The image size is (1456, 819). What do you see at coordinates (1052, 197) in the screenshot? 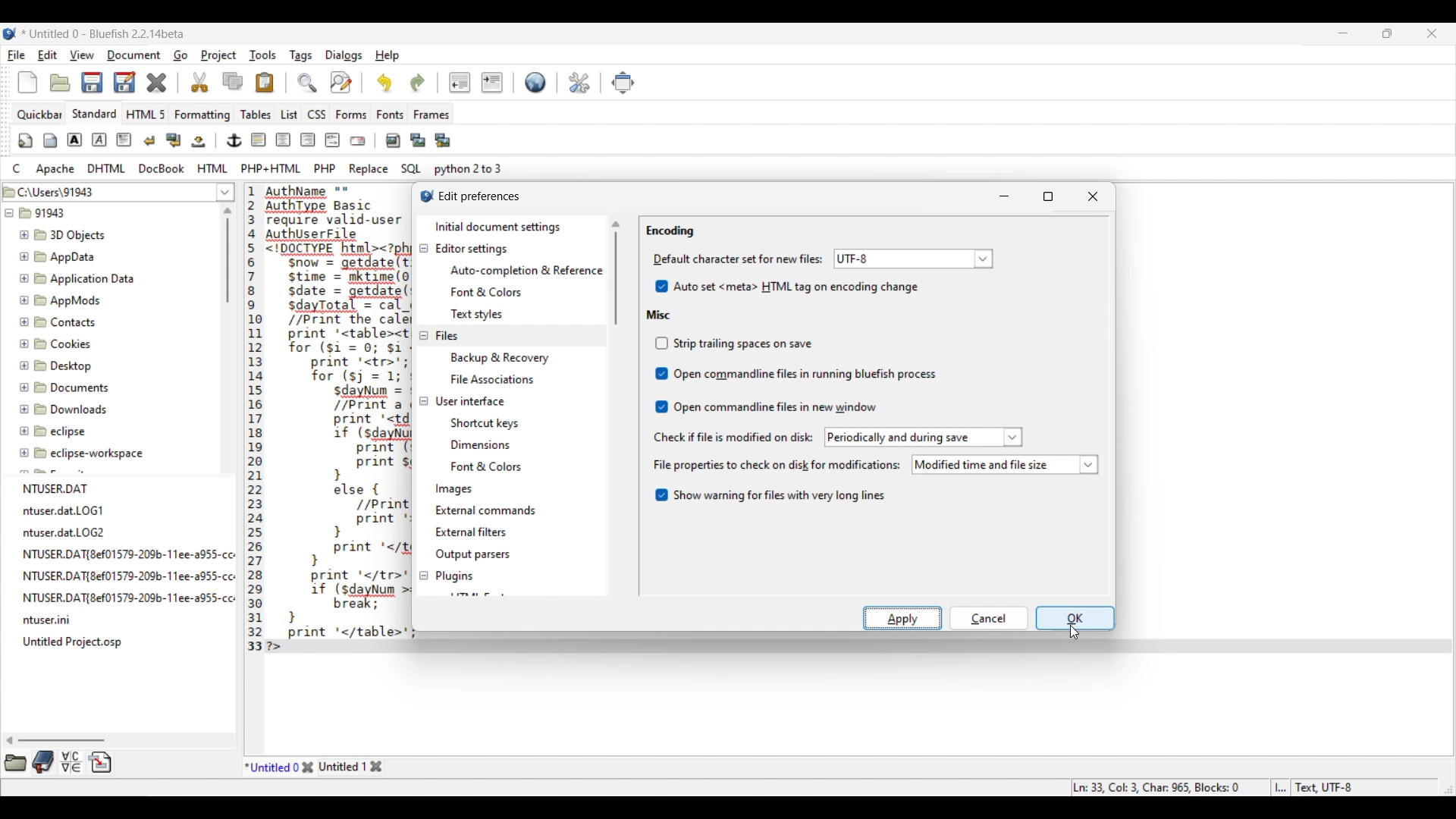
I see `Maximize` at bounding box center [1052, 197].